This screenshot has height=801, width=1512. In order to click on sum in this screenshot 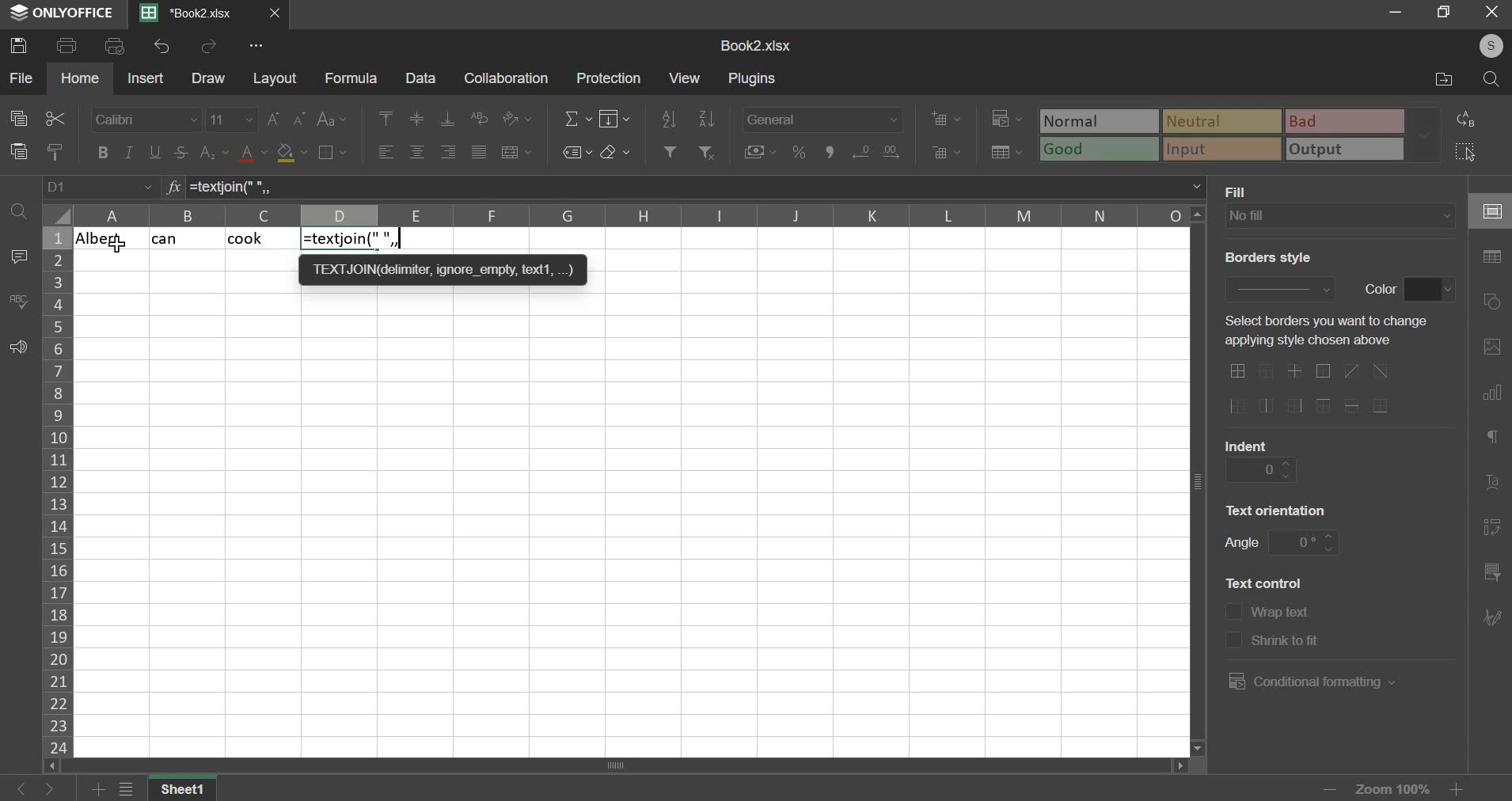, I will do `click(578, 117)`.